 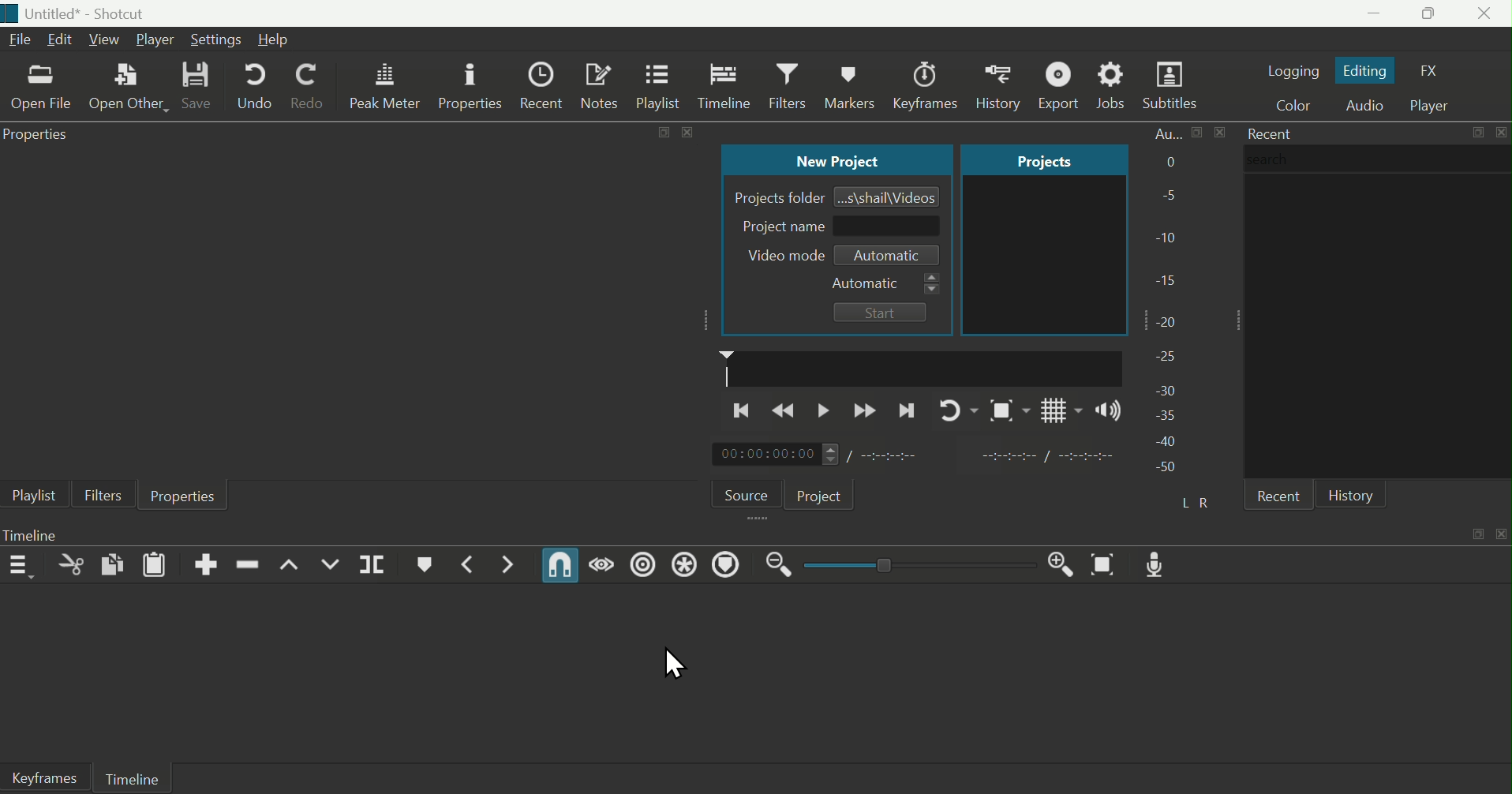 I want to click on -50, so click(x=1166, y=468).